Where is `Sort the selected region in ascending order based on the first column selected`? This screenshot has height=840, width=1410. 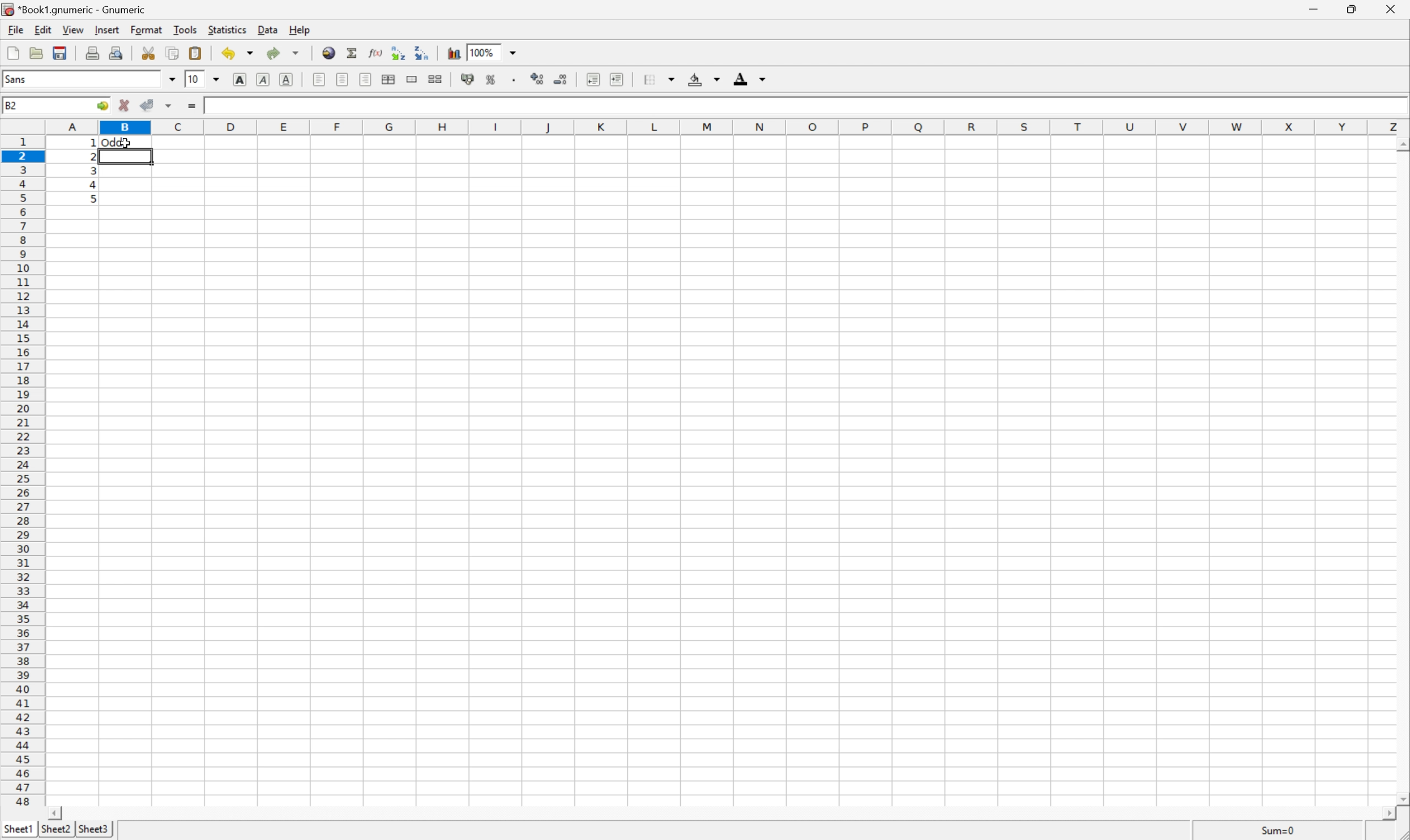 Sort the selected region in ascending order based on the first column selected is located at coordinates (398, 53).